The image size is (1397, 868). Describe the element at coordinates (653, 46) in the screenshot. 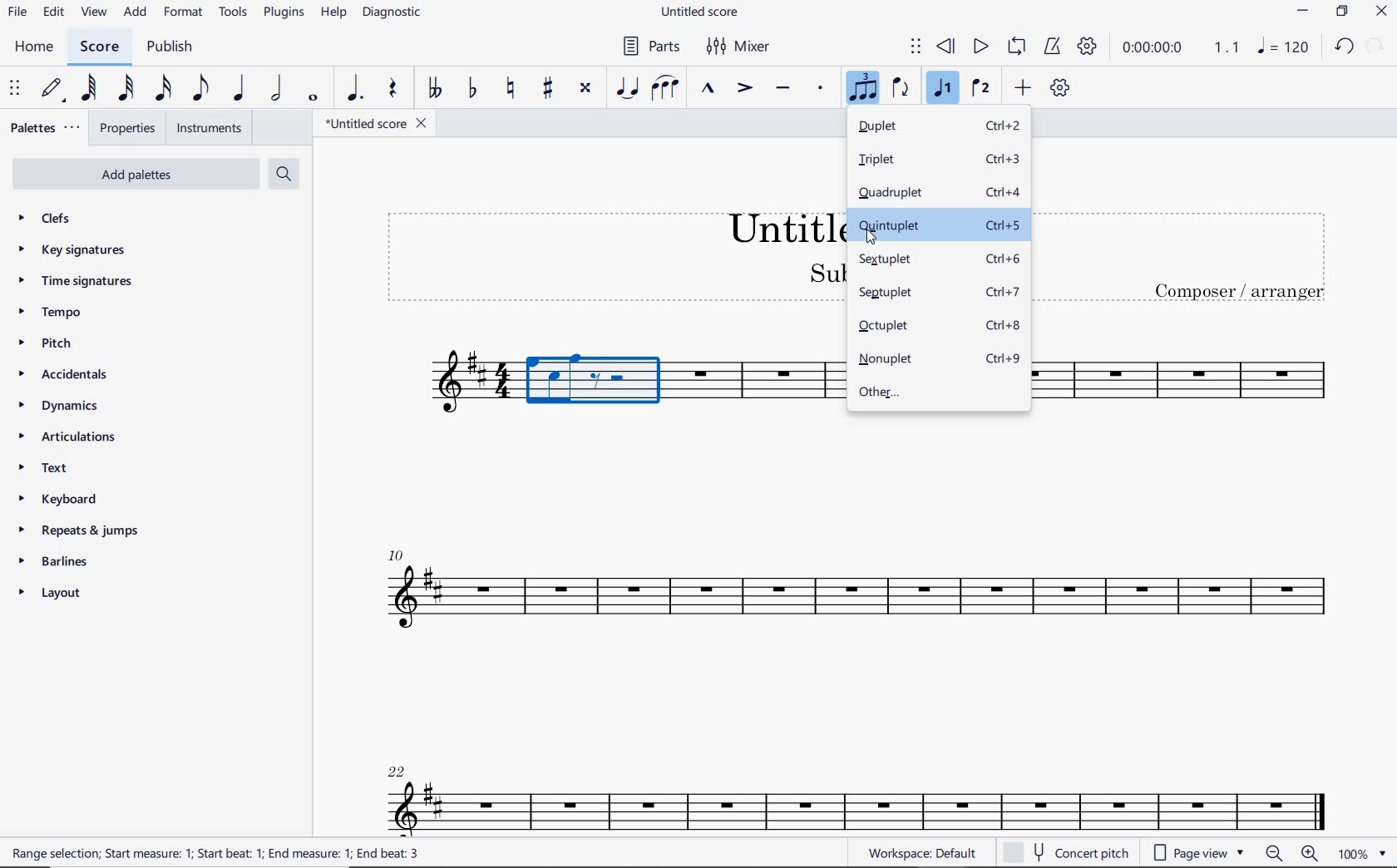

I see `PARTS` at that location.